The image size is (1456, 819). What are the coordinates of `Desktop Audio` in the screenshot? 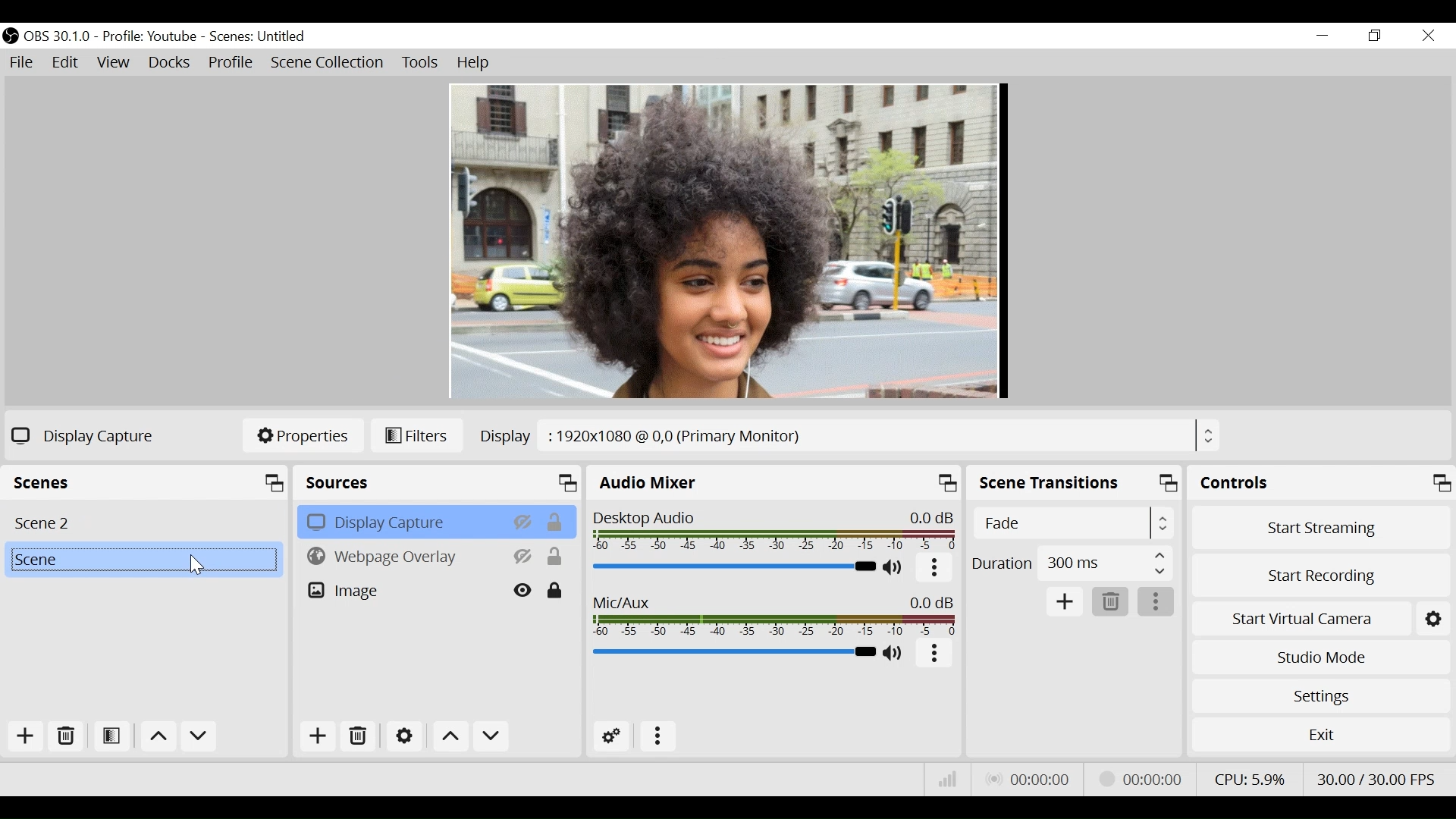 It's located at (777, 528).